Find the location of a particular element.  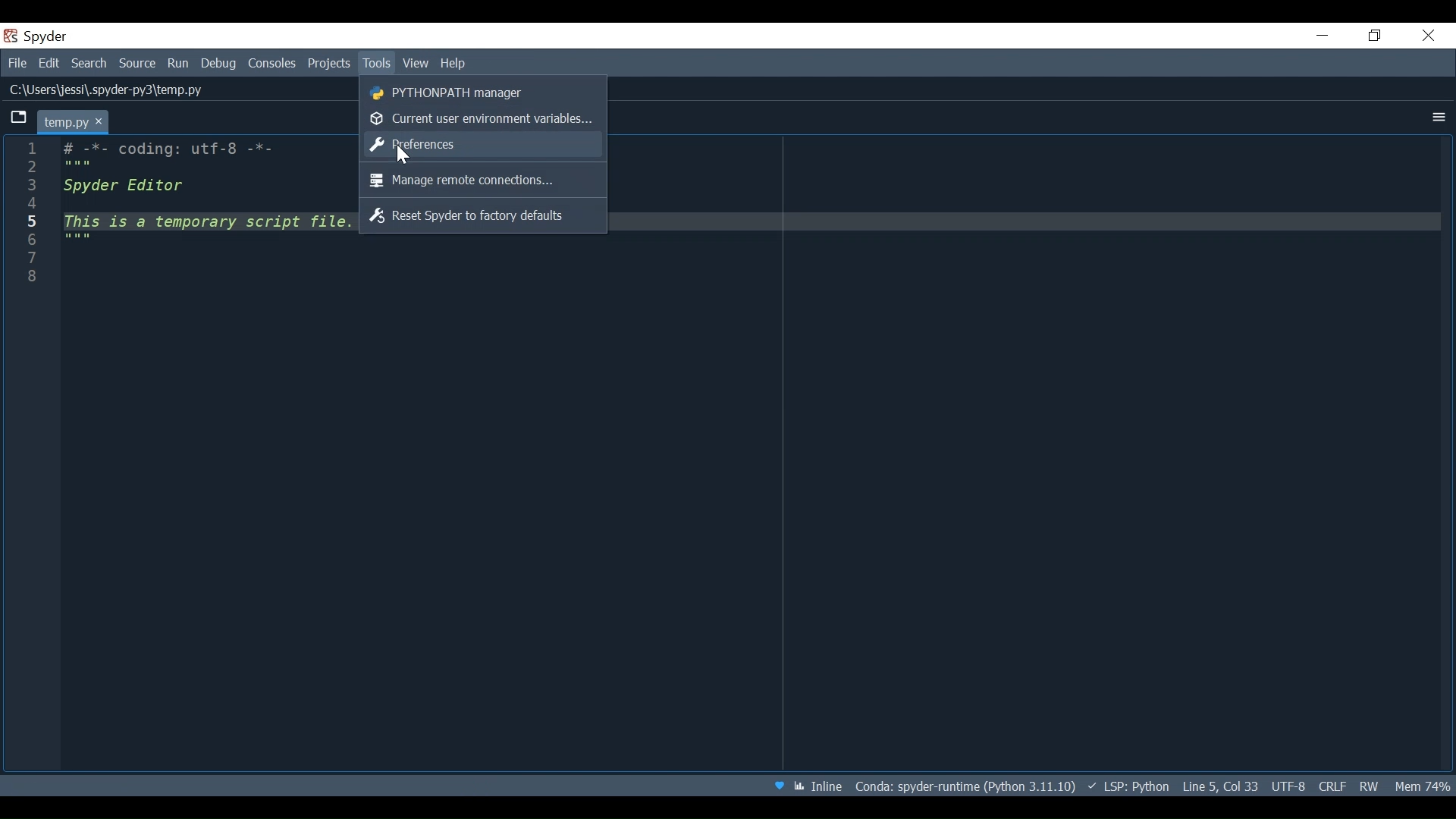

Minimize is located at coordinates (1320, 35).